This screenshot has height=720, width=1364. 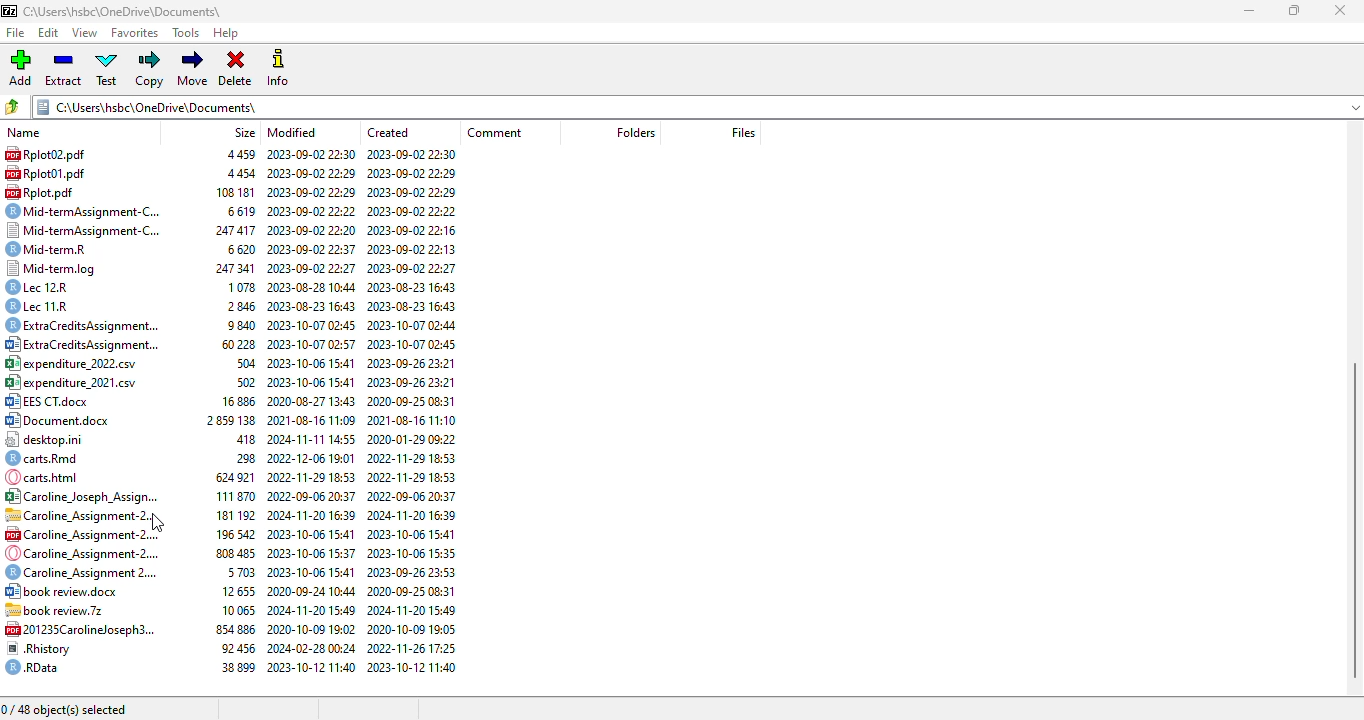 What do you see at coordinates (193, 69) in the screenshot?
I see `move` at bounding box center [193, 69].